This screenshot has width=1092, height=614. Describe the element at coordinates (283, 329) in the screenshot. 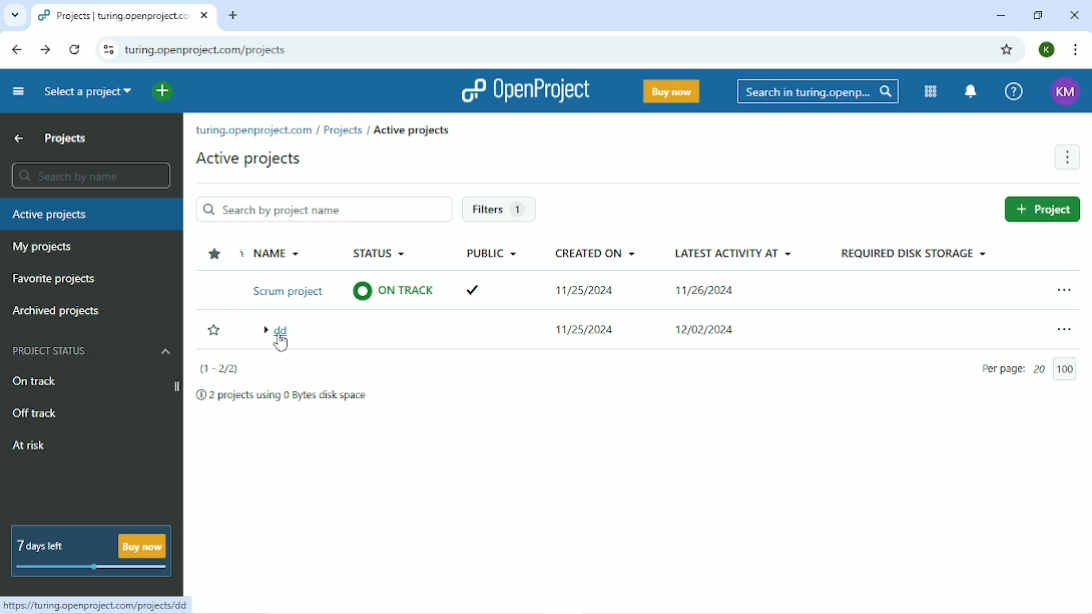

I see `dd` at that location.